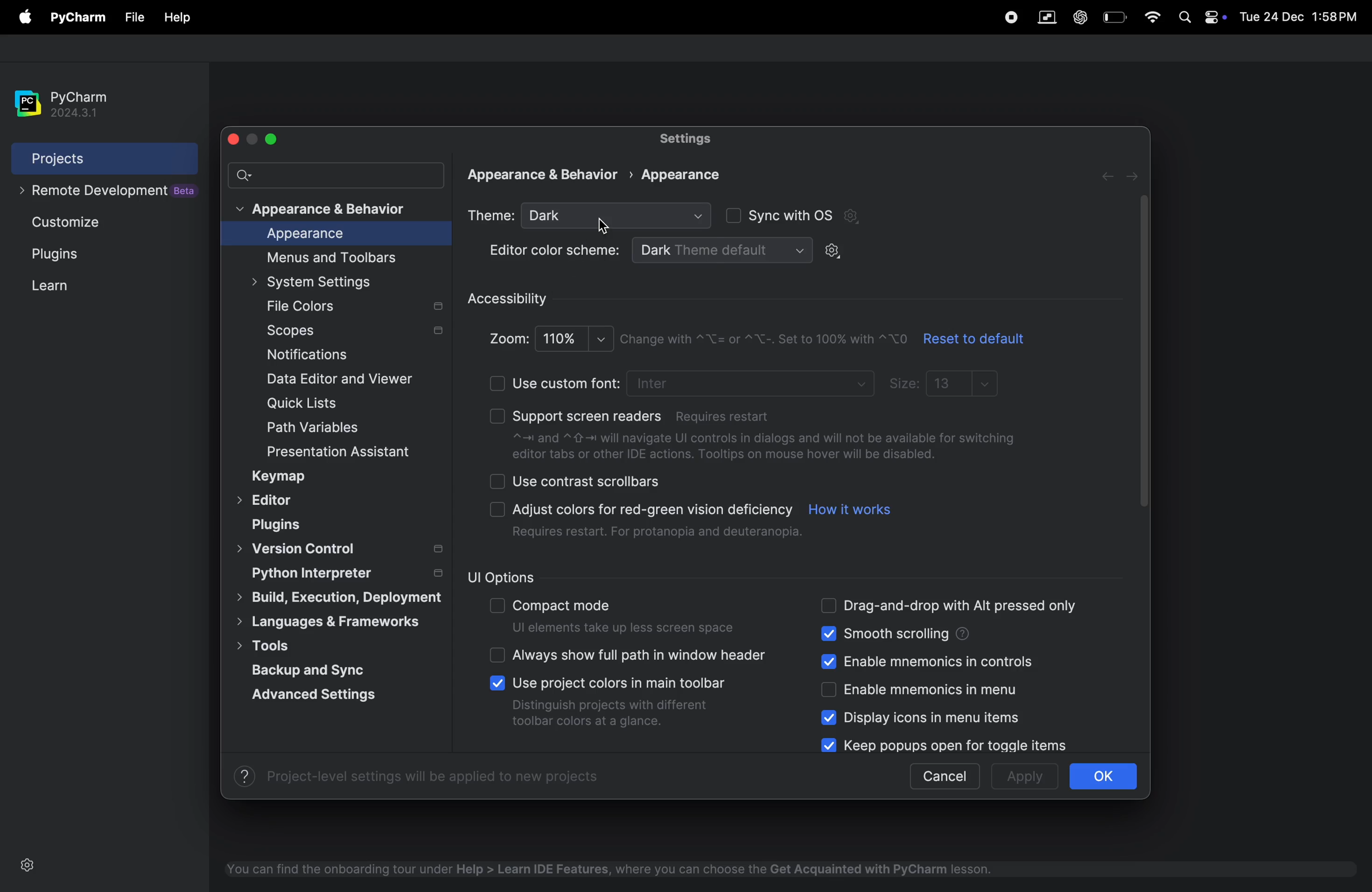  Describe the element at coordinates (67, 97) in the screenshot. I see `pycharm` at that location.